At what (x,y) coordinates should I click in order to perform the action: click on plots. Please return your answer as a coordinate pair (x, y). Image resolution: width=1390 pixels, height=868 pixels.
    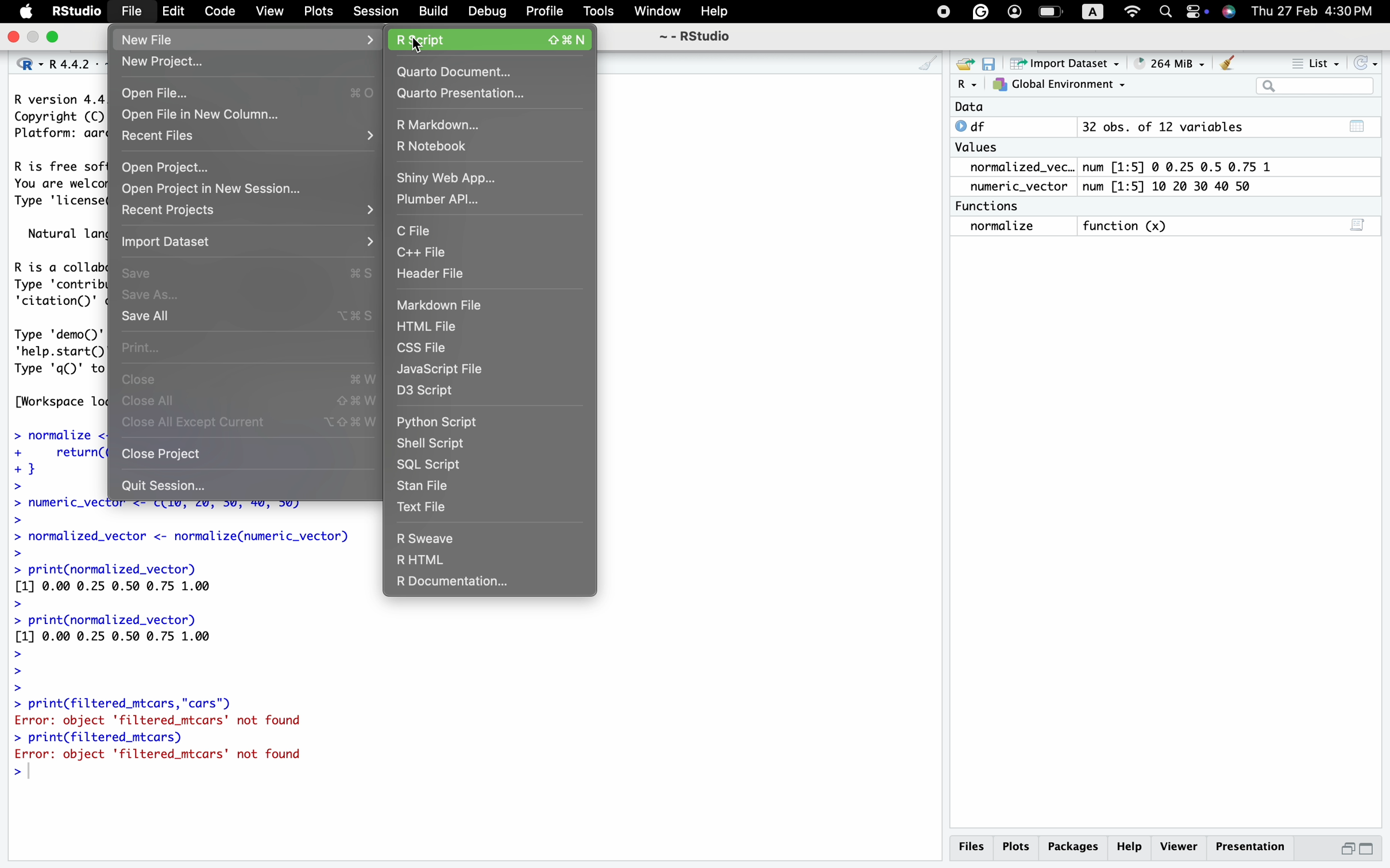
    Looking at the image, I should click on (318, 11).